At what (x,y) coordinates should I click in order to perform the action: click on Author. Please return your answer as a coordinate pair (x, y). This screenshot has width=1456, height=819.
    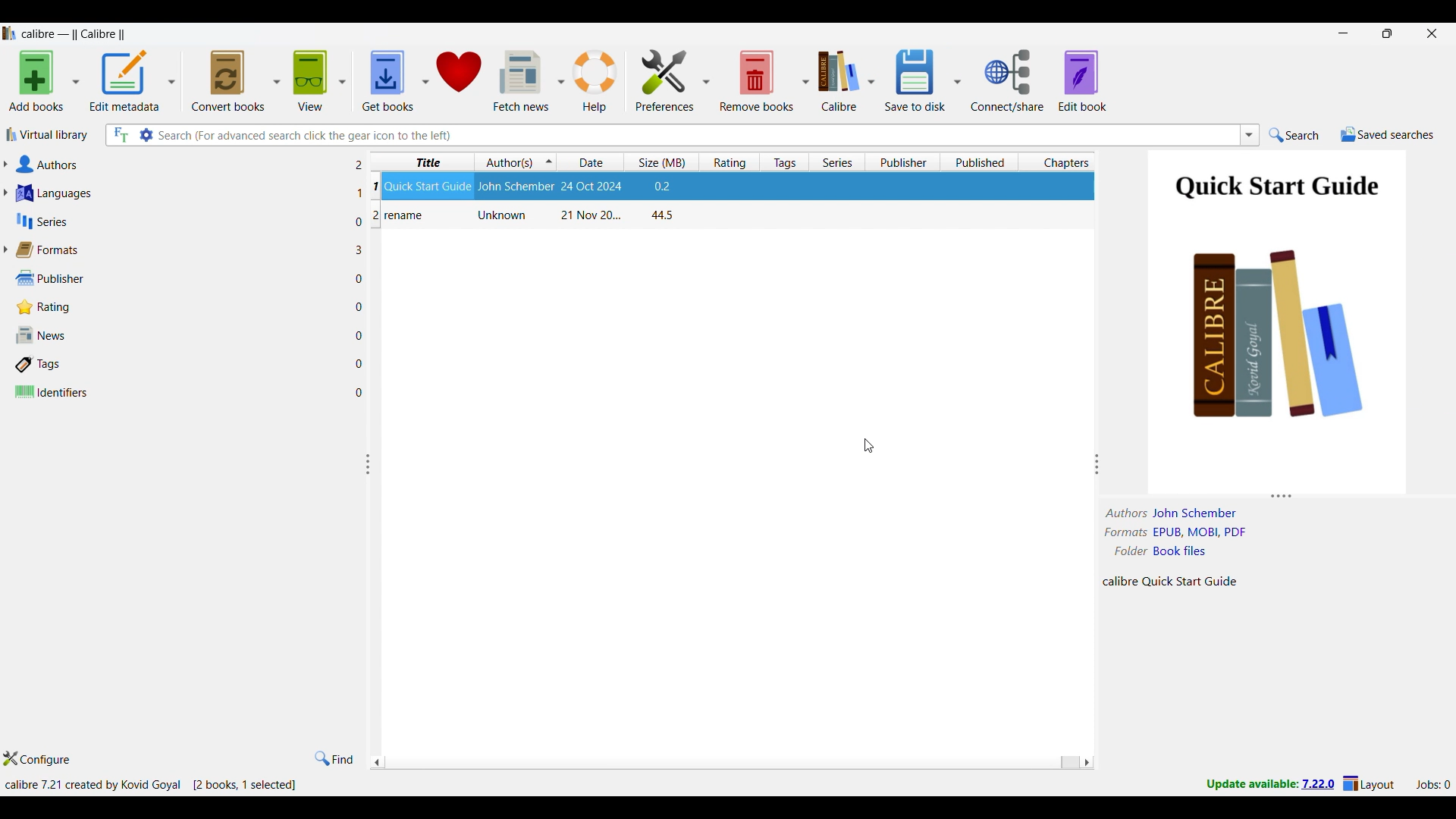
    Looking at the image, I should click on (504, 215).